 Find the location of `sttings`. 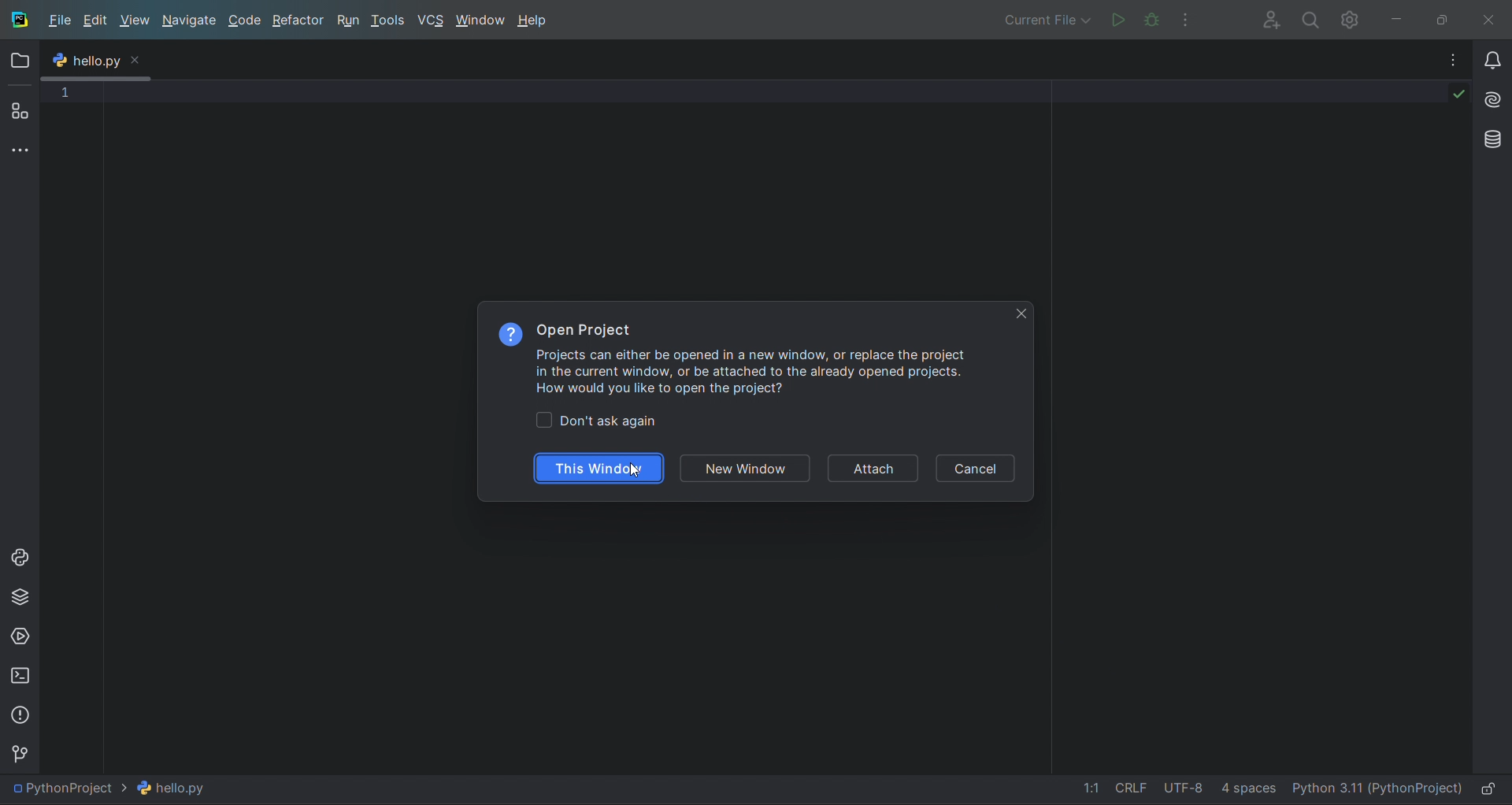

sttings is located at coordinates (1354, 19).